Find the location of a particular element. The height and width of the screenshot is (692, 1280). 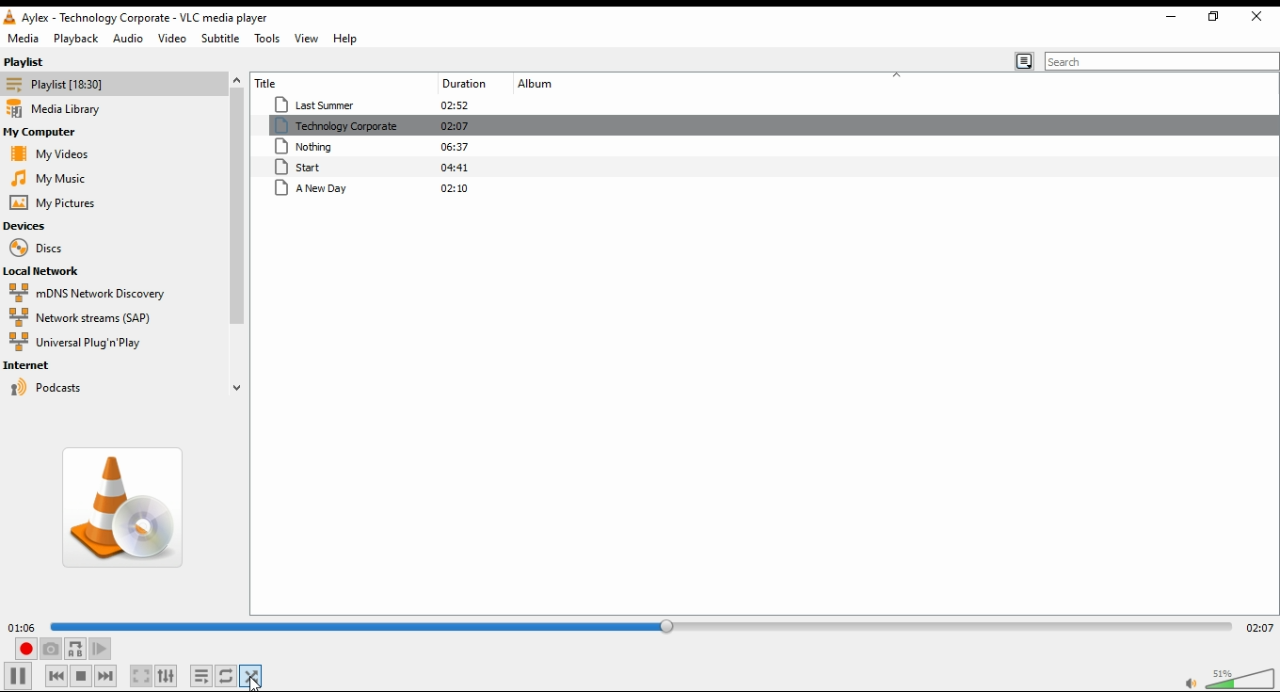

vlc icon is located at coordinates (10, 17).